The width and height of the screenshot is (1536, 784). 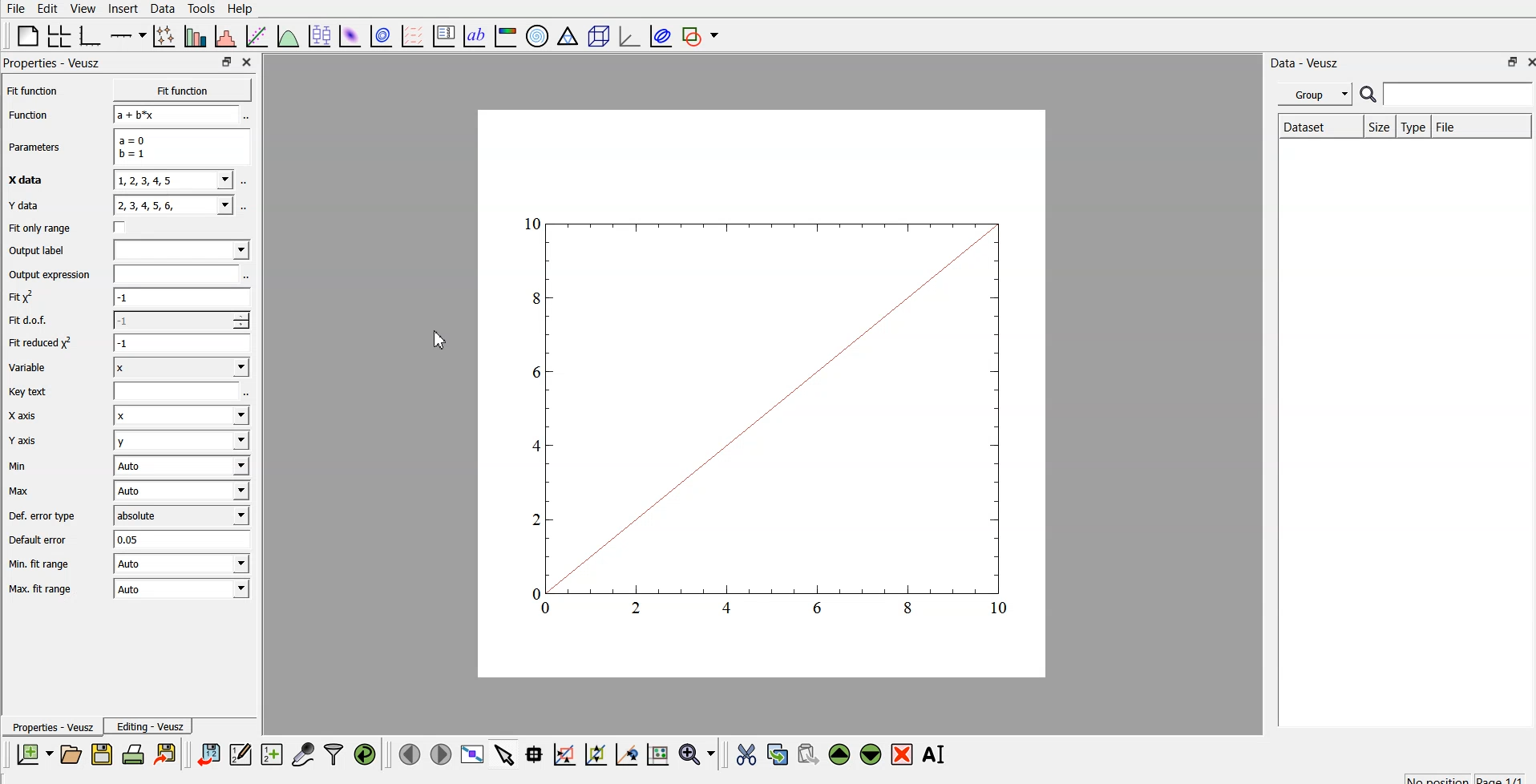 What do you see at coordinates (128, 36) in the screenshot?
I see `add axis on the plot` at bounding box center [128, 36].